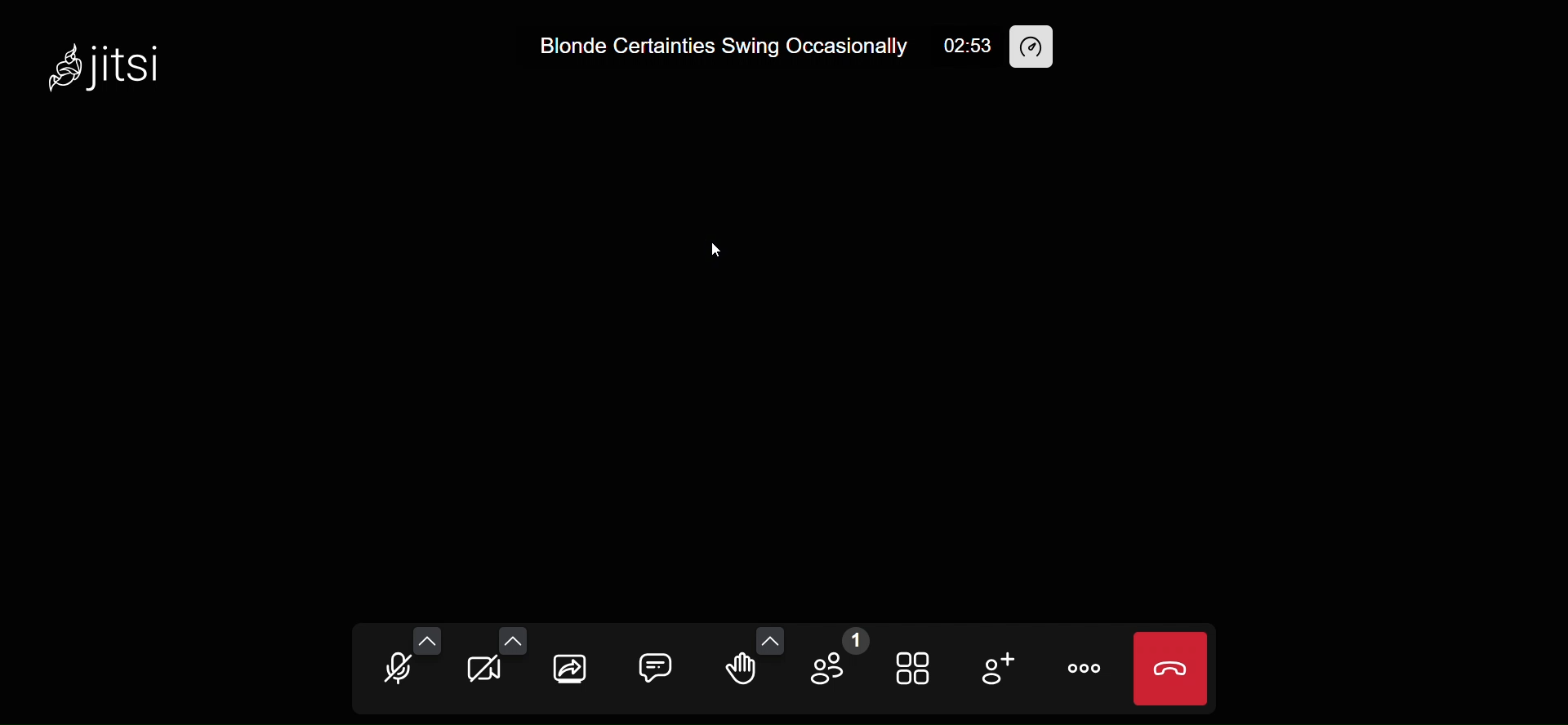 This screenshot has height=725, width=1568. What do you see at coordinates (967, 46) in the screenshot?
I see `02:53` at bounding box center [967, 46].